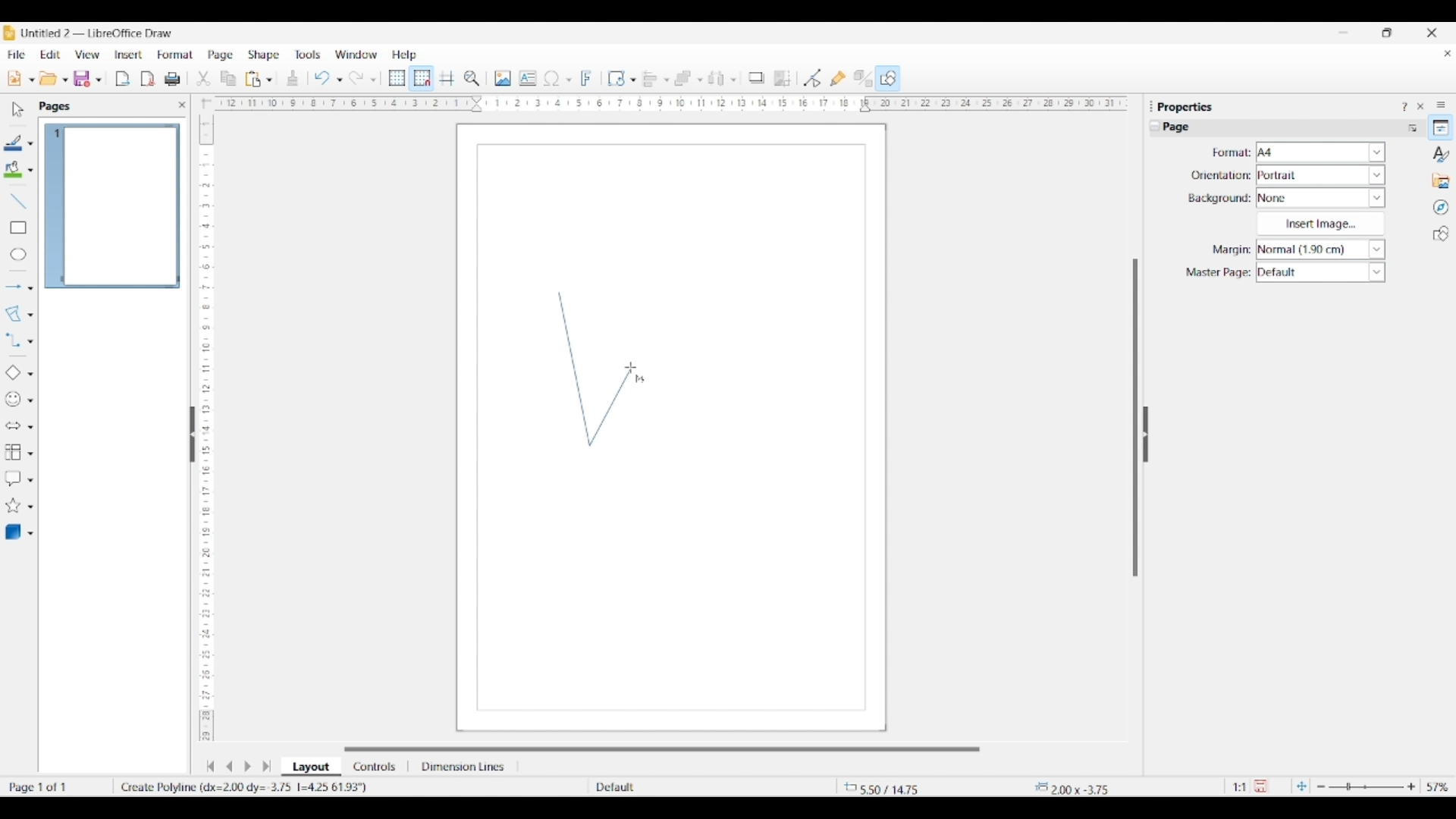 The height and width of the screenshot is (819, 1456). Describe the element at coordinates (1441, 104) in the screenshot. I see `Sidebar settings` at that location.